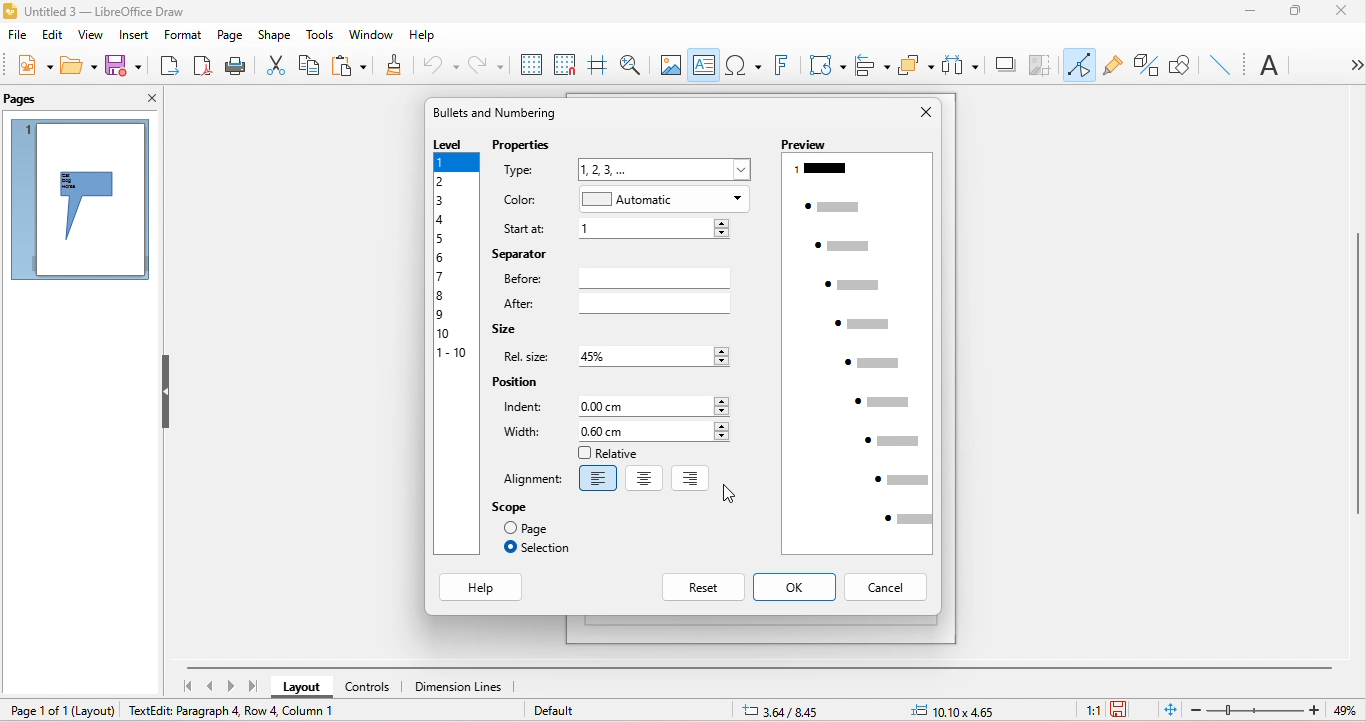 This screenshot has height=722, width=1366. Describe the element at coordinates (1167, 709) in the screenshot. I see `fit to the current window` at that location.